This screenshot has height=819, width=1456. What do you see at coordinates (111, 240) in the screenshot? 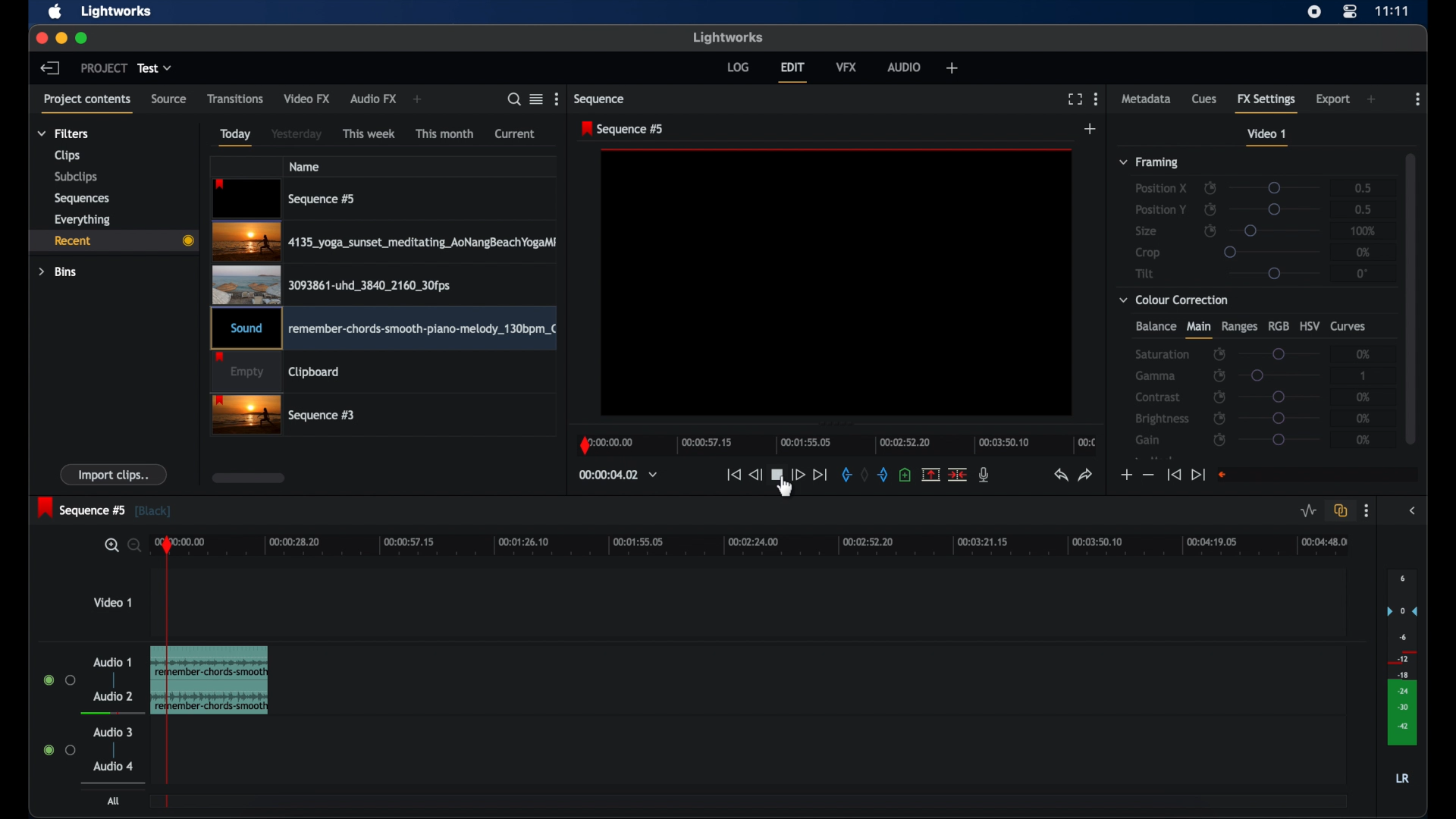
I see `recent` at bounding box center [111, 240].